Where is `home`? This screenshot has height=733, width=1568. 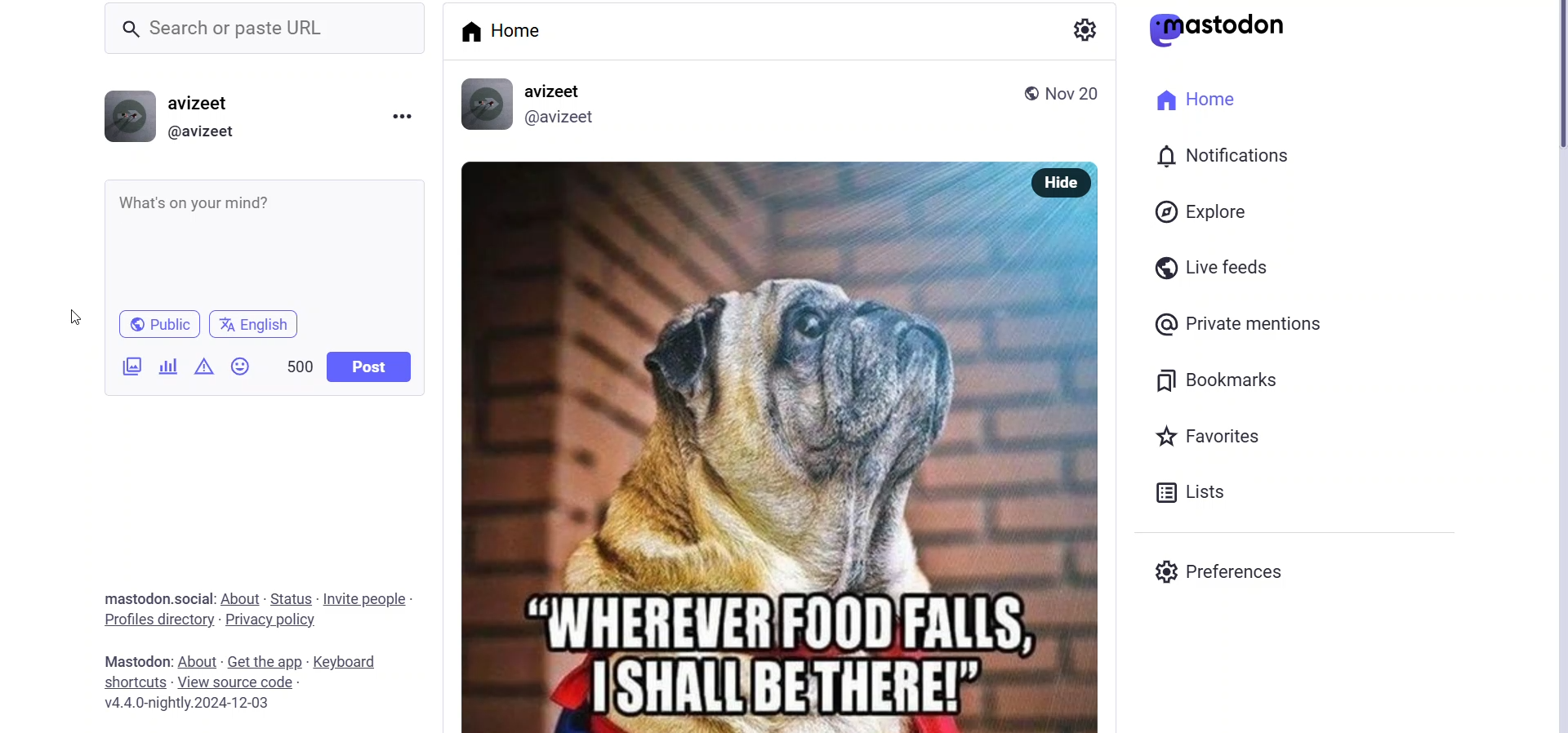 home is located at coordinates (1198, 100).